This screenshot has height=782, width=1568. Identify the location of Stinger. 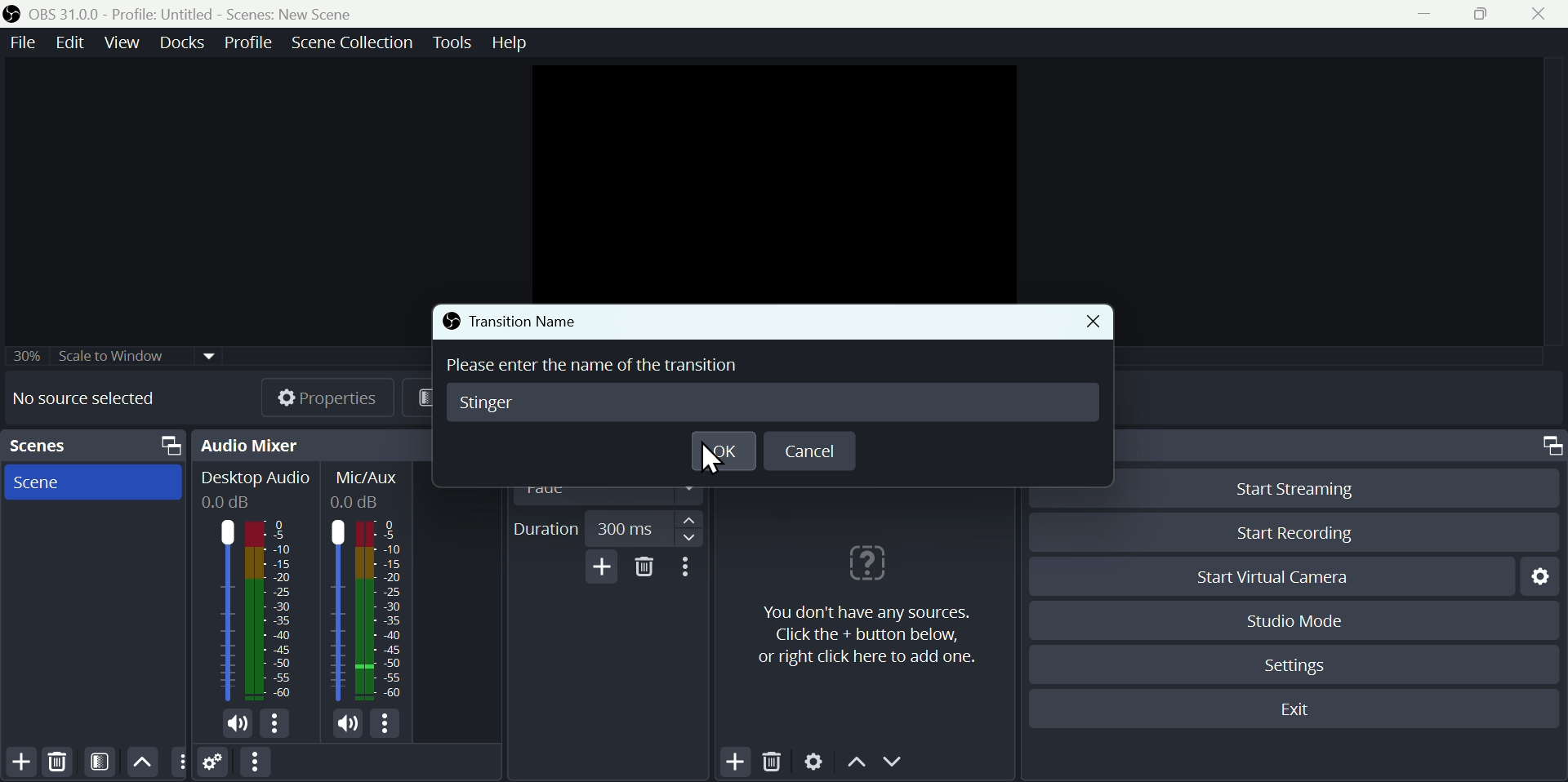
(491, 403).